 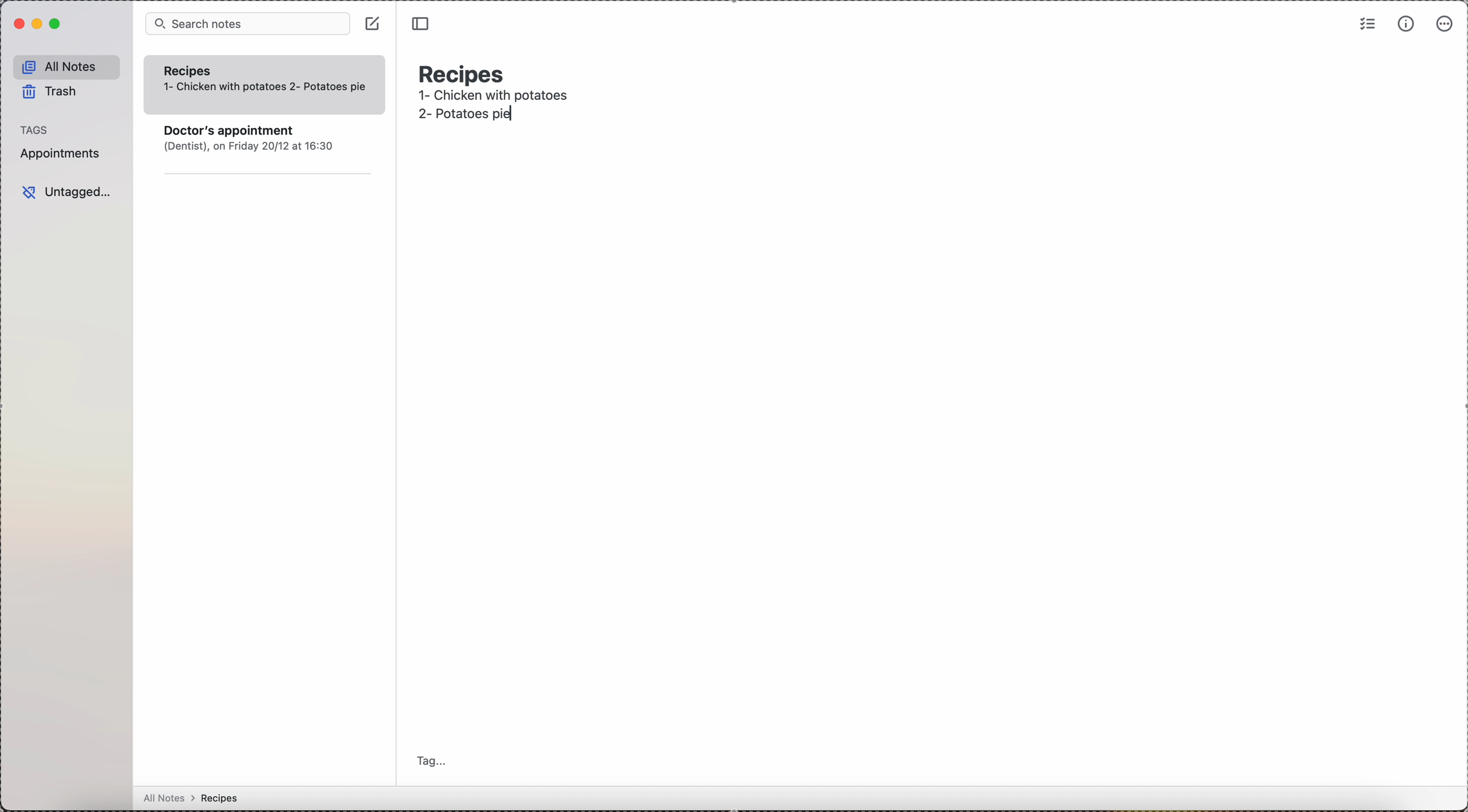 I want to click on trash, so click(x=56, y=91).